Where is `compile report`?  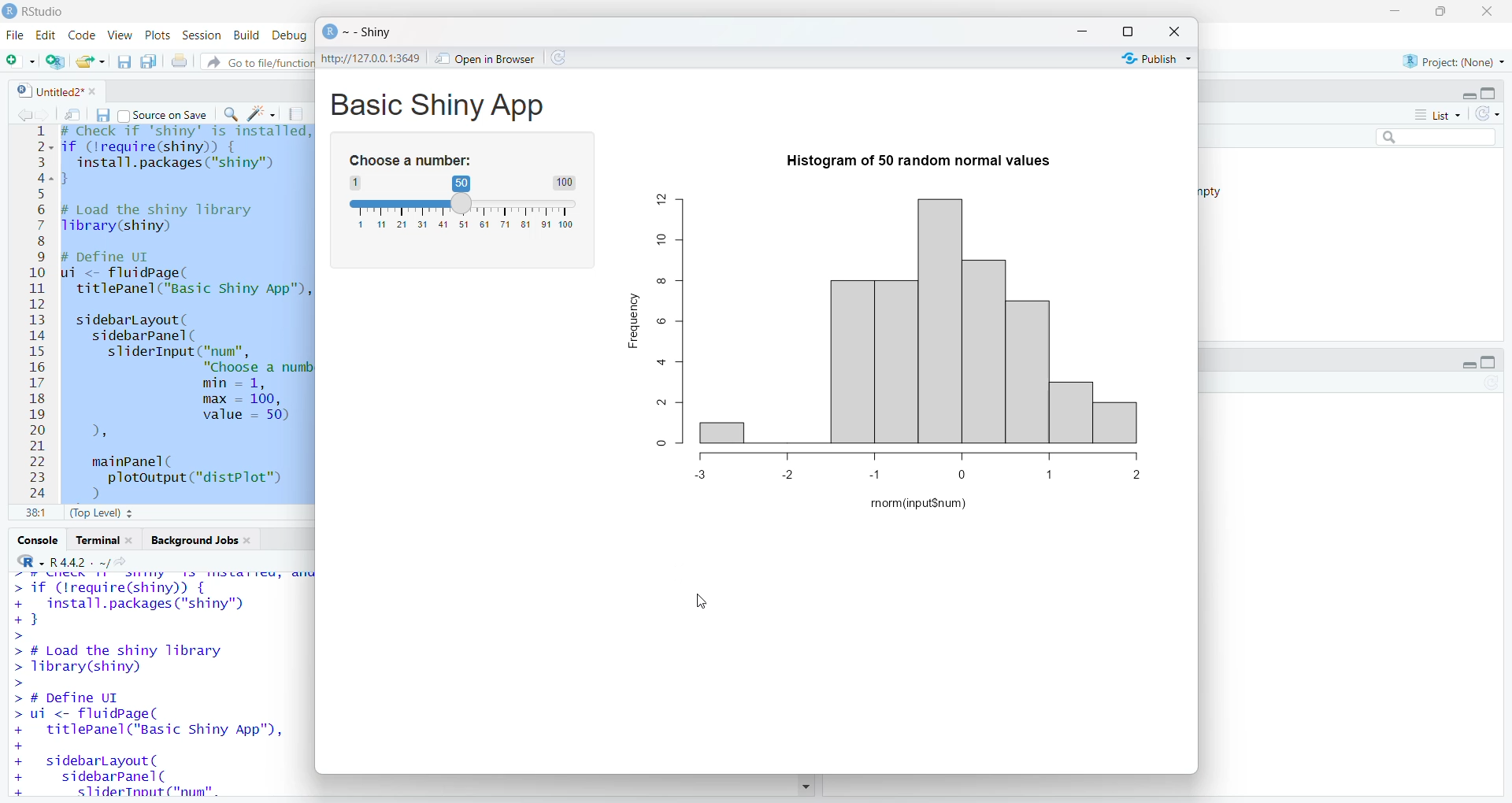 compile report is located at coordinates (295, 113).